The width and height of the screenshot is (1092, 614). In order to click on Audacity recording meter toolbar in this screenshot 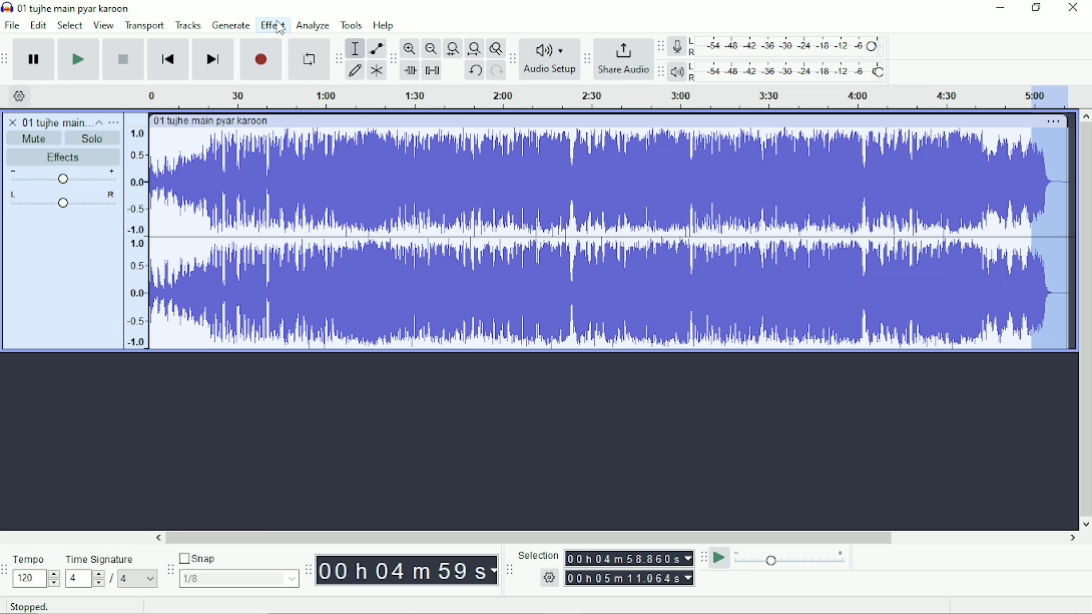, I will do `click(661, 47)`.